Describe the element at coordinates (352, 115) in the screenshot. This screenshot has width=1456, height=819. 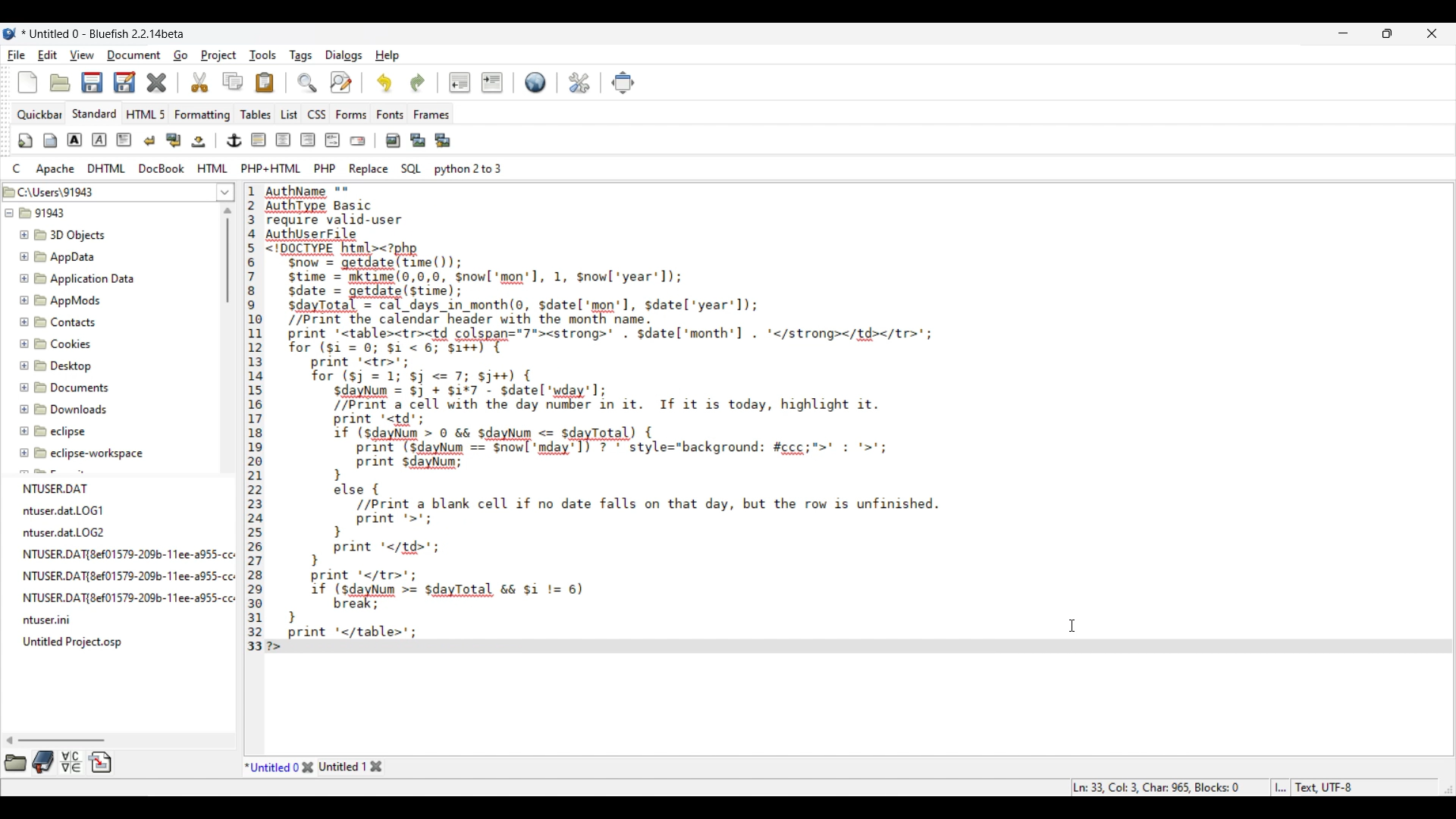
I see `Forms` at that location.